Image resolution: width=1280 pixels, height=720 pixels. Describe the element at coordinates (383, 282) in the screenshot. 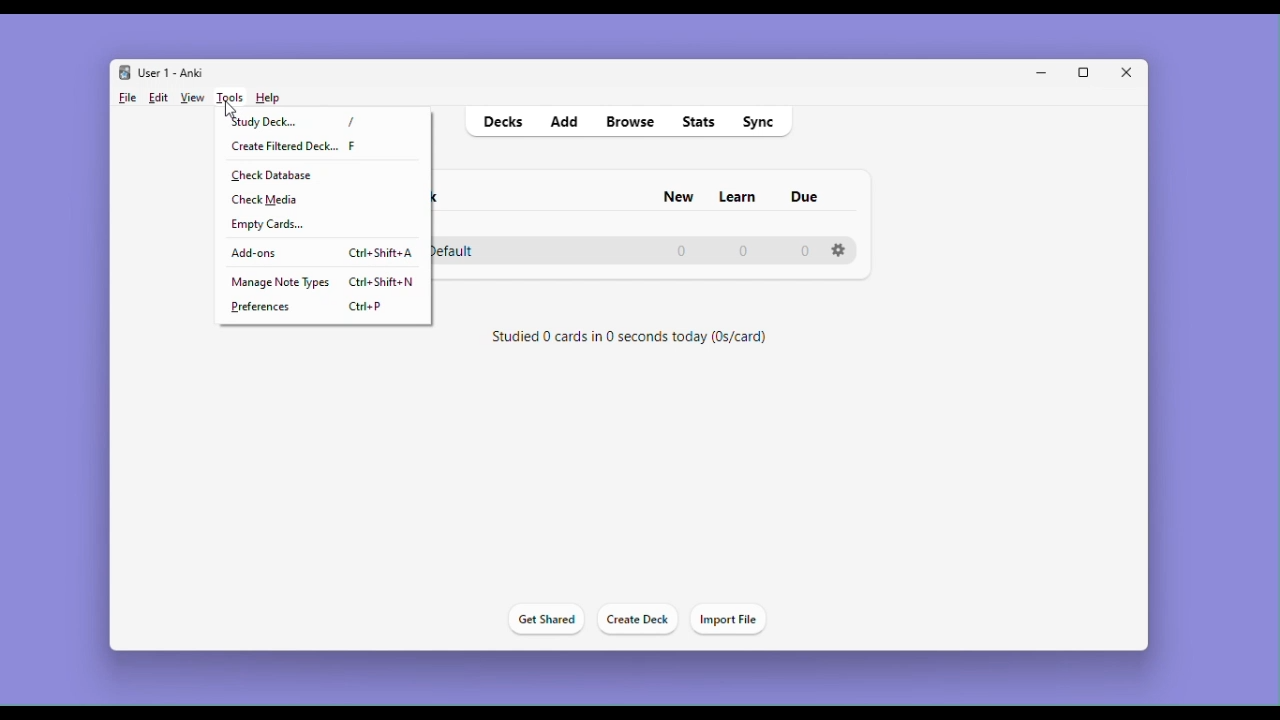

I see `Ctrl + shift + n` at that location.